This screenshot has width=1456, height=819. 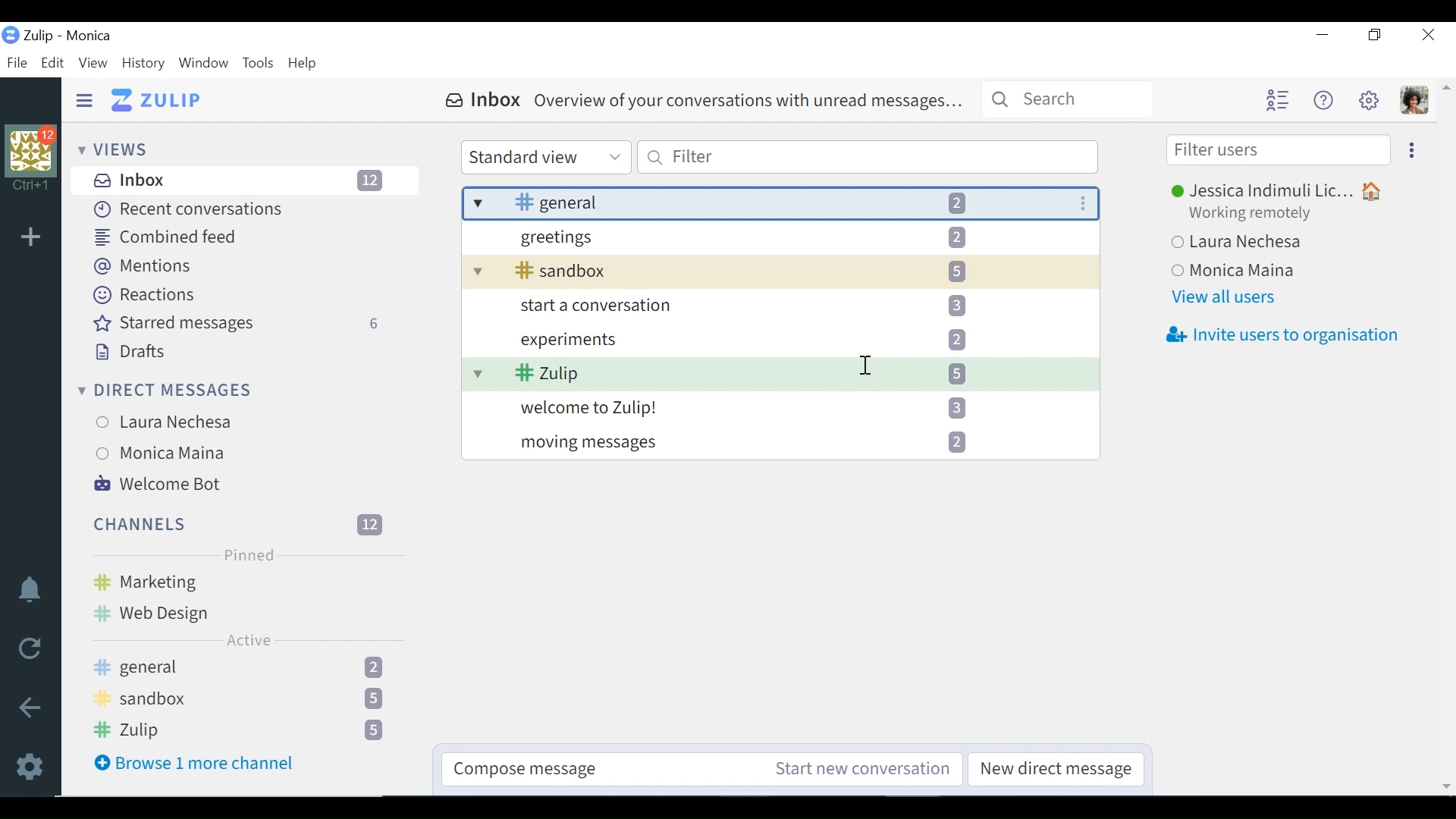 I want to click on Add Organisation, so click(x=30, y=237).